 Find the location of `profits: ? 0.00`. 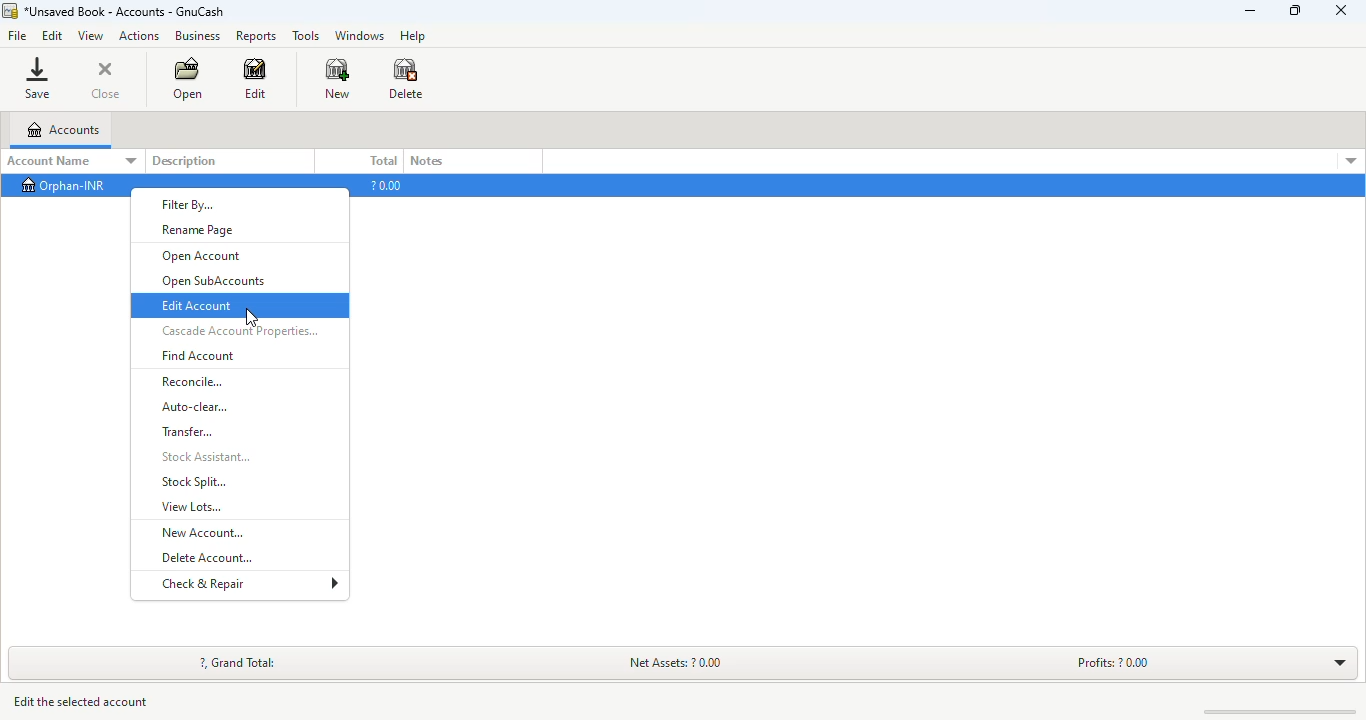

profits: ? 0.00 is located at coordinates (1113, 662).